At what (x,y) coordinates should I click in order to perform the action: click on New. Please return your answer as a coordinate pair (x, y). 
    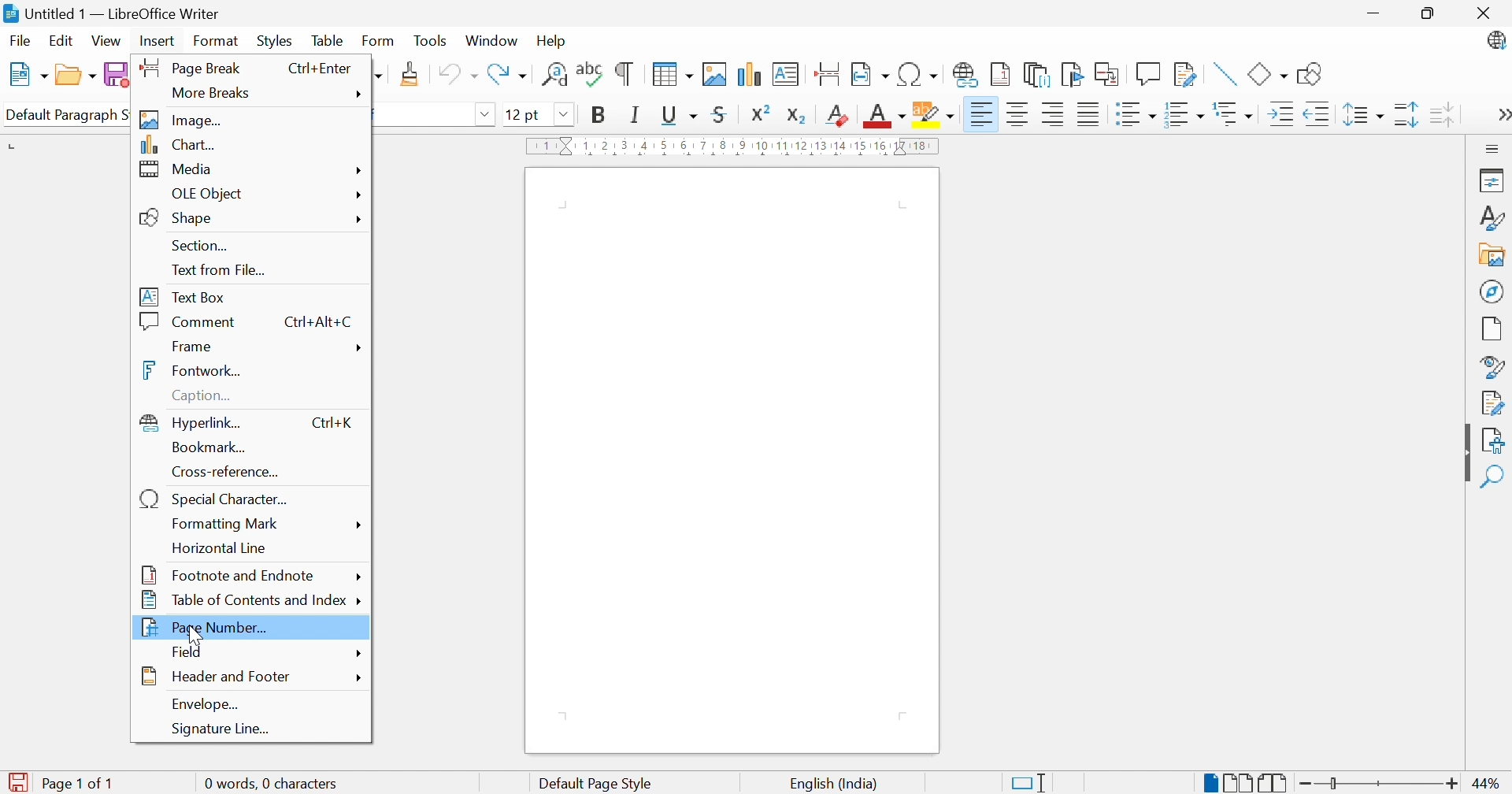
    Looking at the image, I should click on (28, 73).